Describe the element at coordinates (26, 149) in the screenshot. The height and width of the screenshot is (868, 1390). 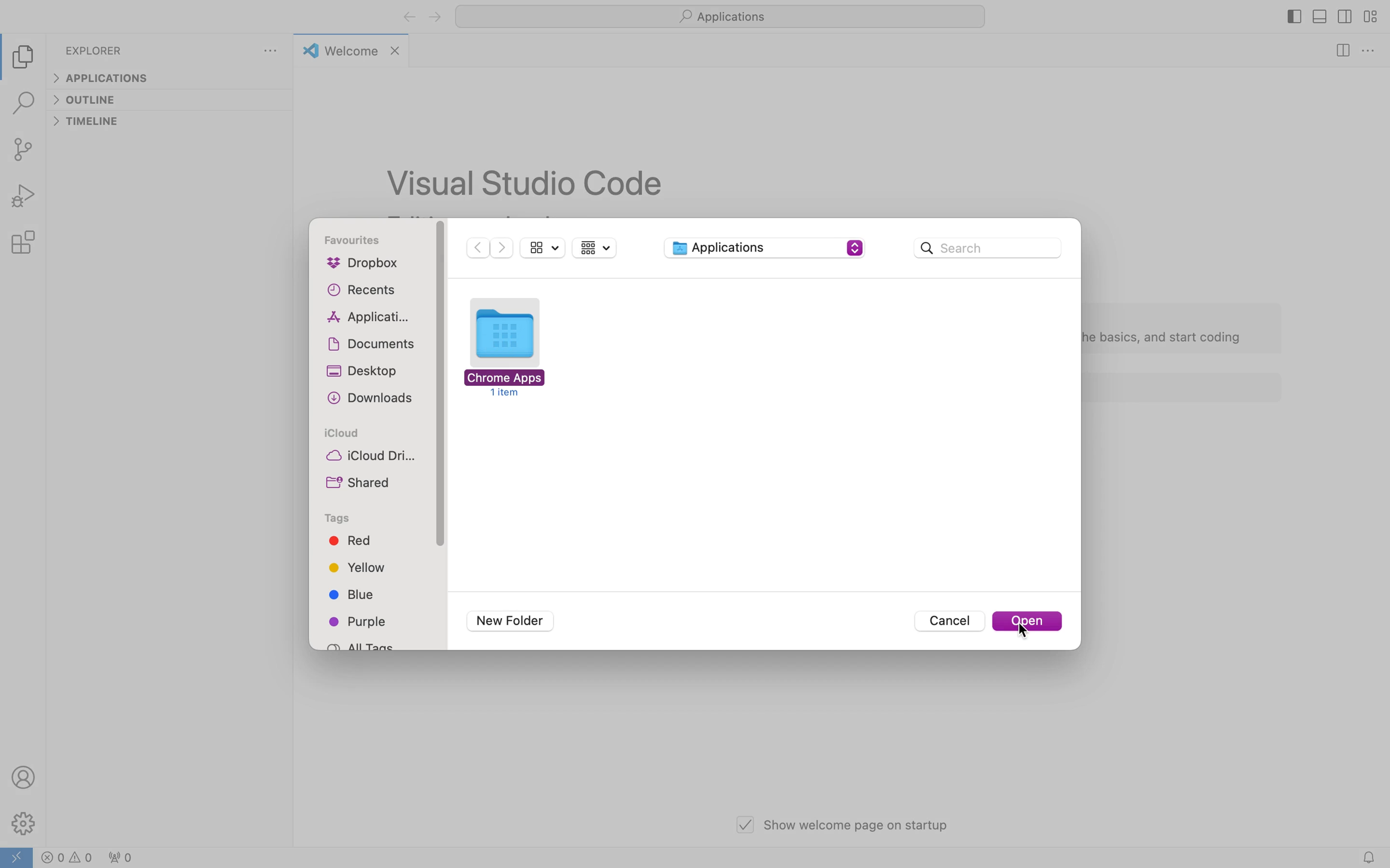
I see `source control` at that location.